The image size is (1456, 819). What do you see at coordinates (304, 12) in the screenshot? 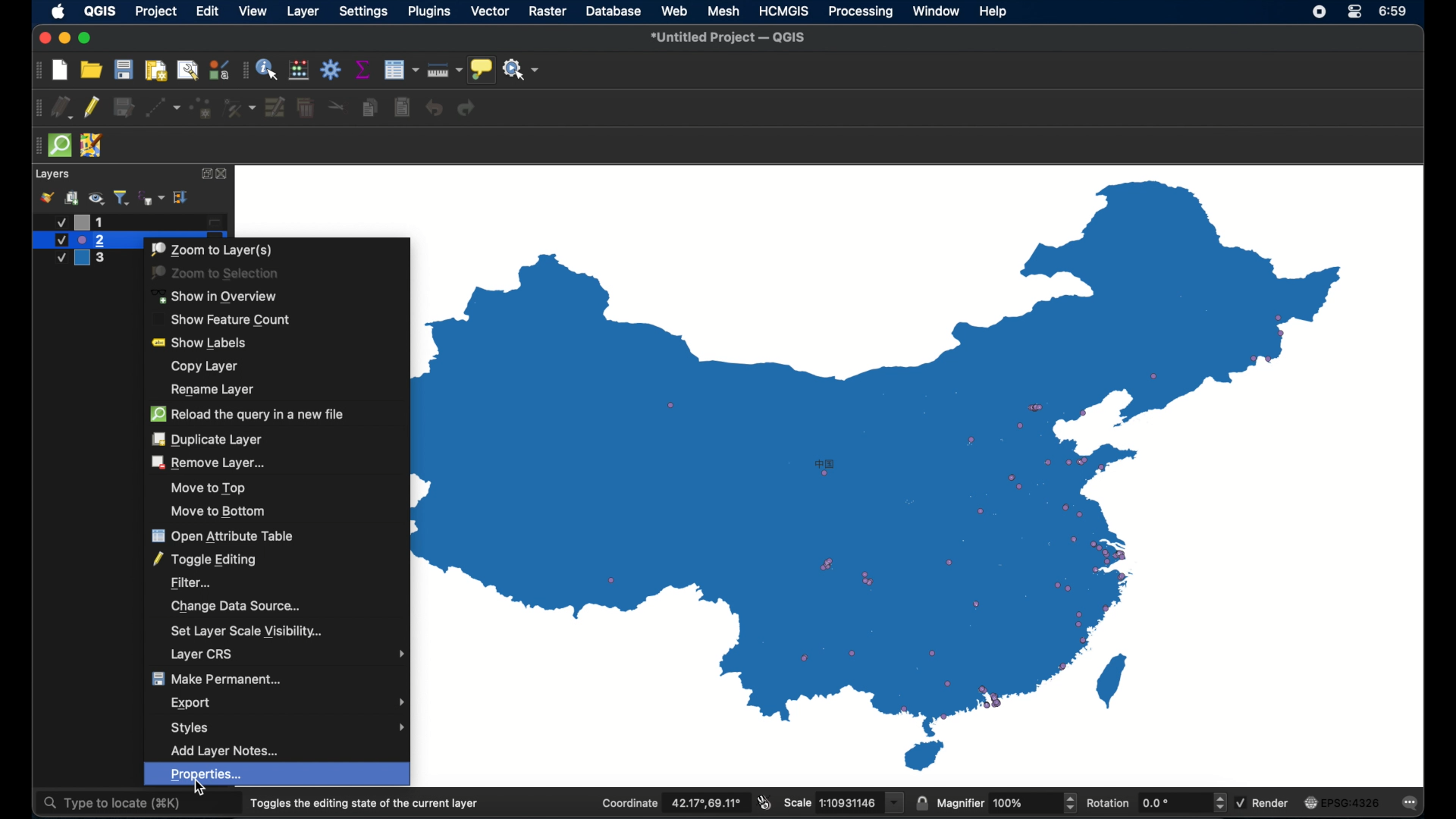
I see `layer` at bounding box center [304, 12].